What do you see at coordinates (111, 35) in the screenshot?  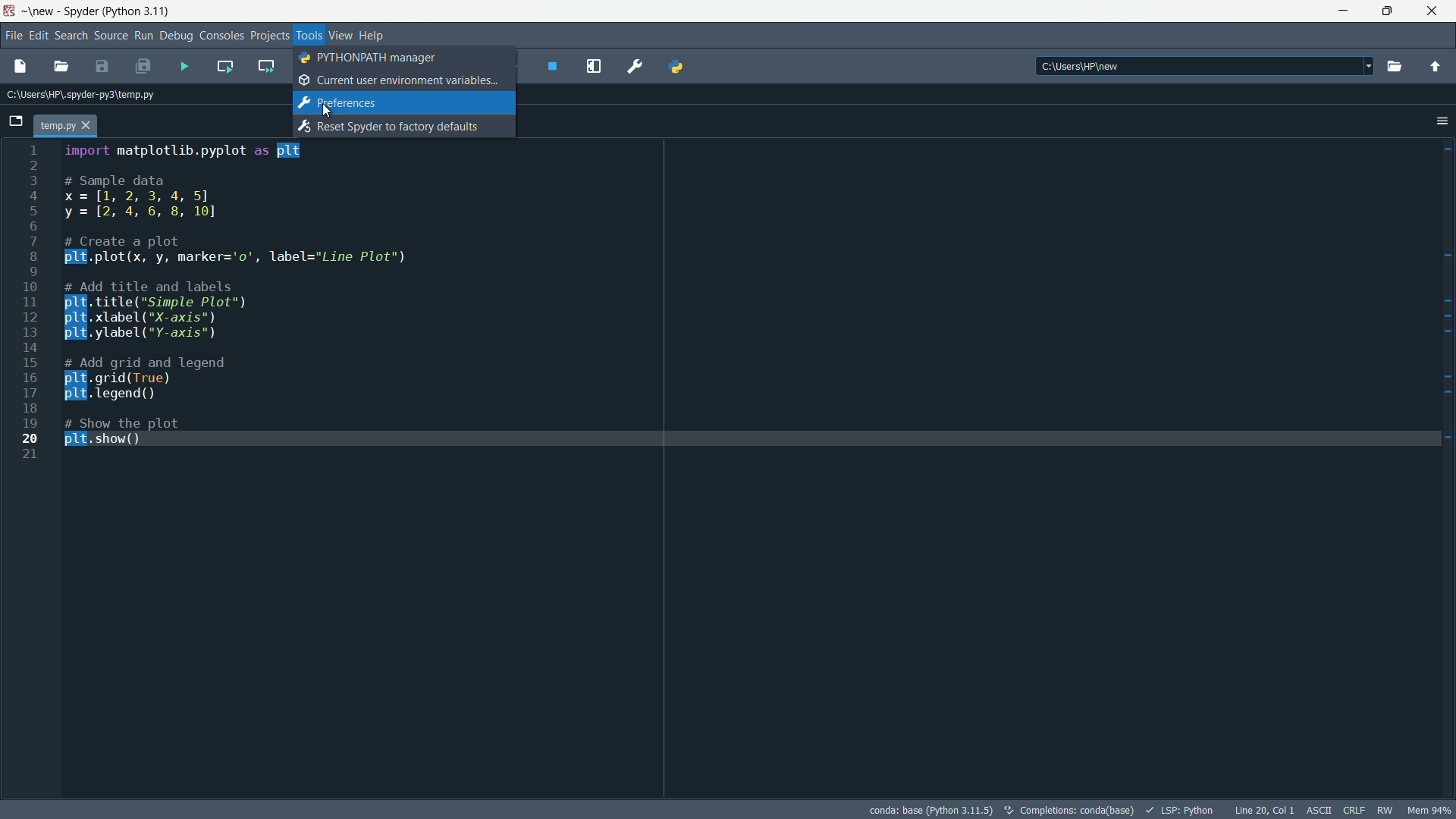 I see `source` at bounding box center [111, 35].